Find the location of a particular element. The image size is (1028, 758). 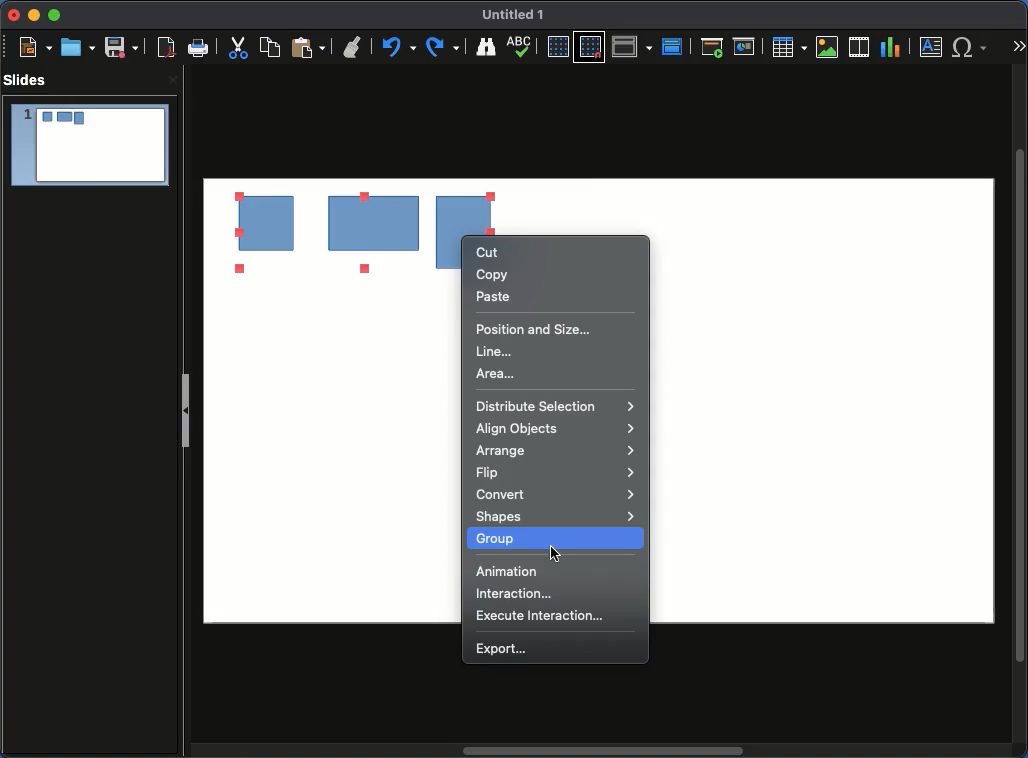

Position and size is located at coordinates (535, 327).